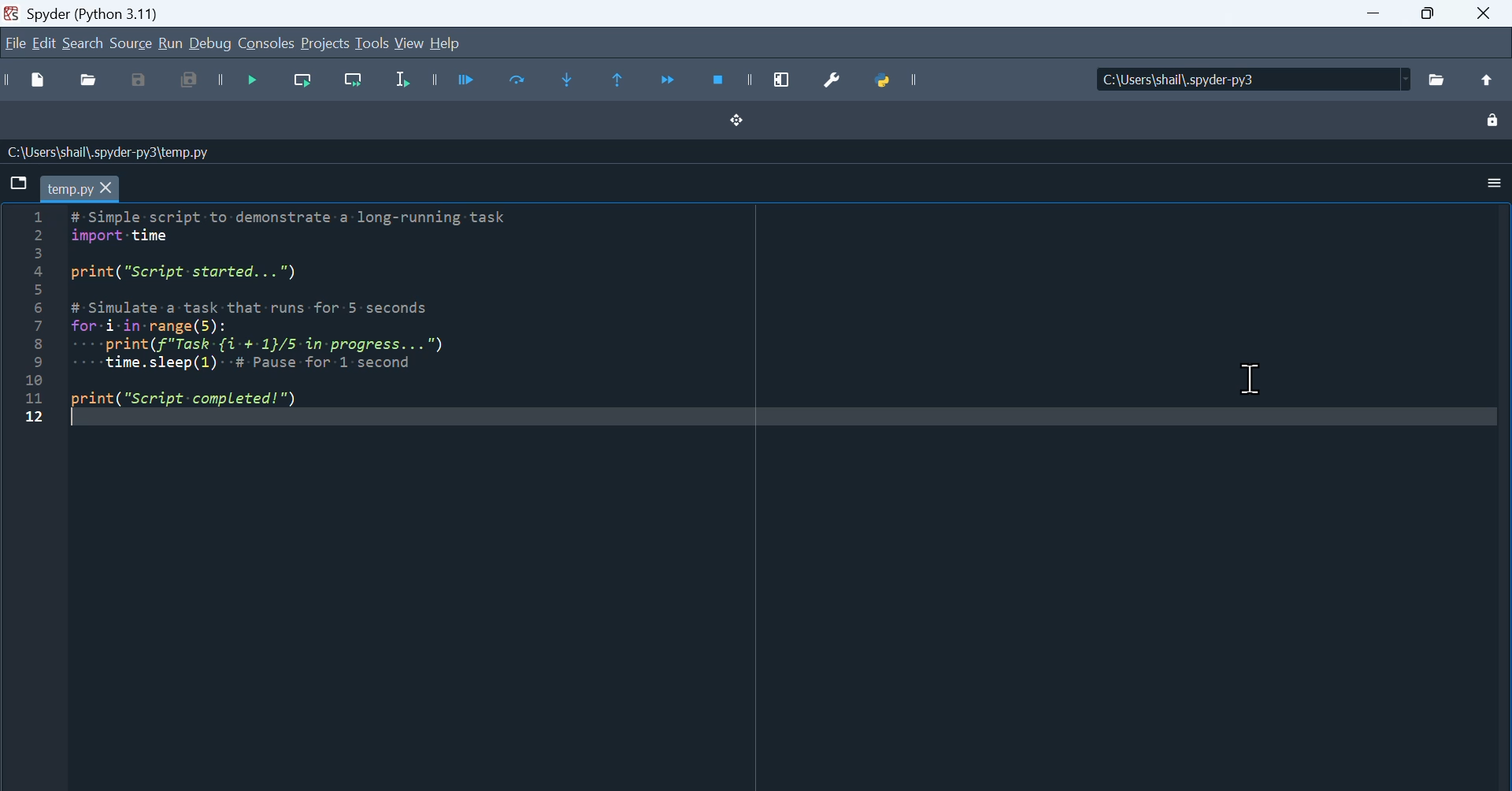 The width and height of the screenshot is (1512, 791). I want to click on Debug file, so click(253, 80).